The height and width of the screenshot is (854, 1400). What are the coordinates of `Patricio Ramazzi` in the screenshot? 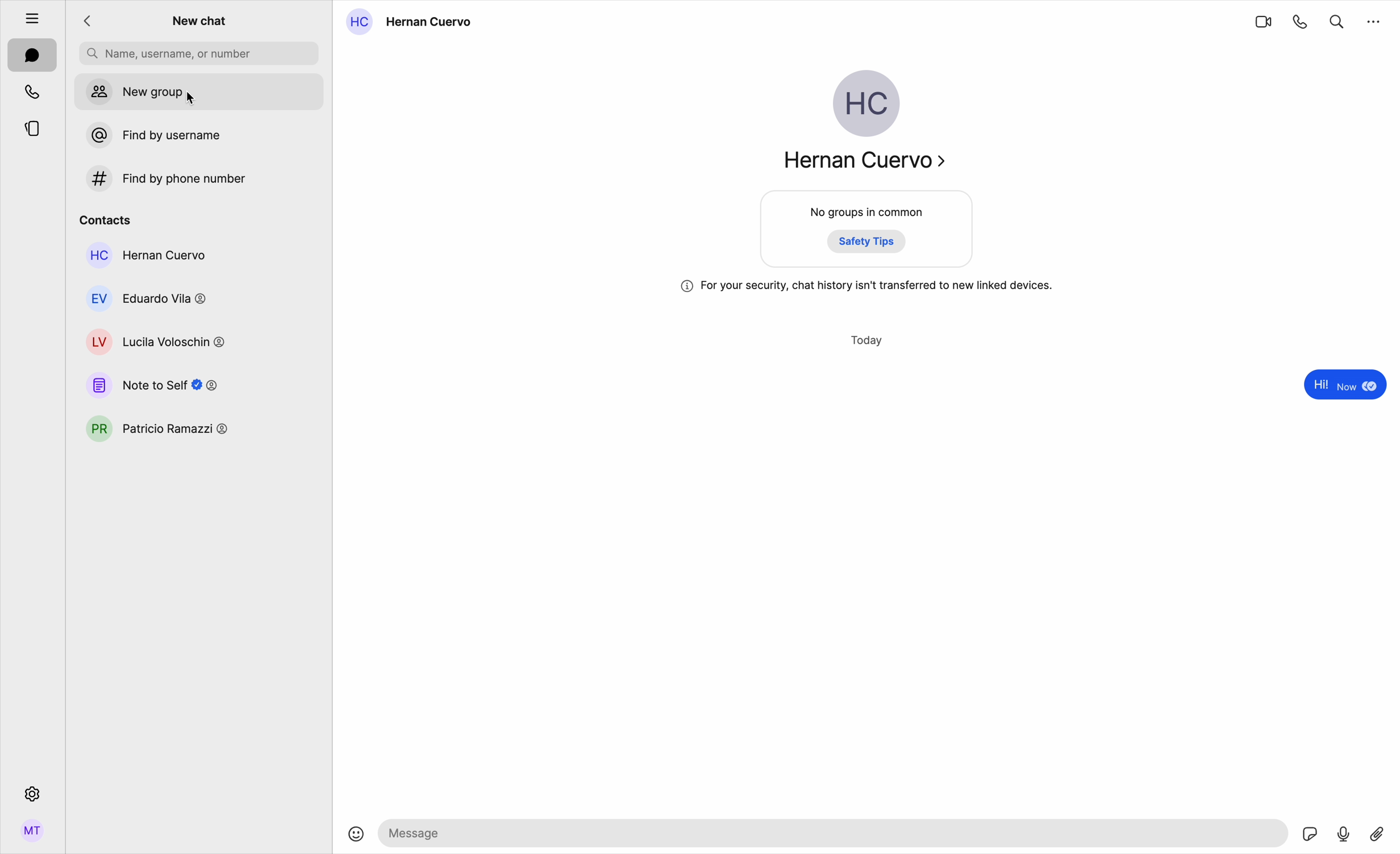 It's located at (159, 430).